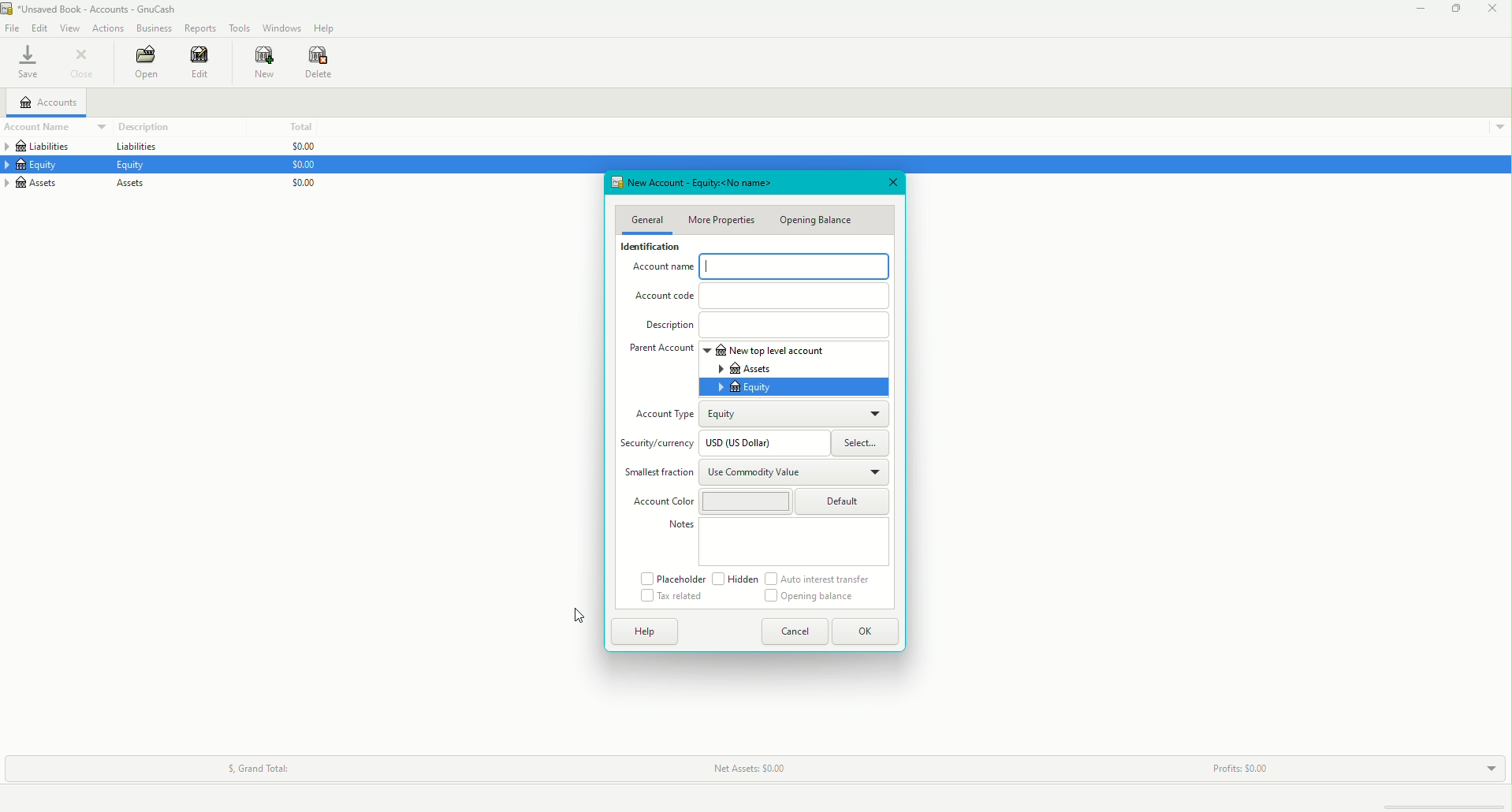 Image resolution: width=1512 pixels, height=812 pixels. What do you see at coordinates (1240, 765) in the screenshot?
I see `Profits` at bounding box center [1240, 765].